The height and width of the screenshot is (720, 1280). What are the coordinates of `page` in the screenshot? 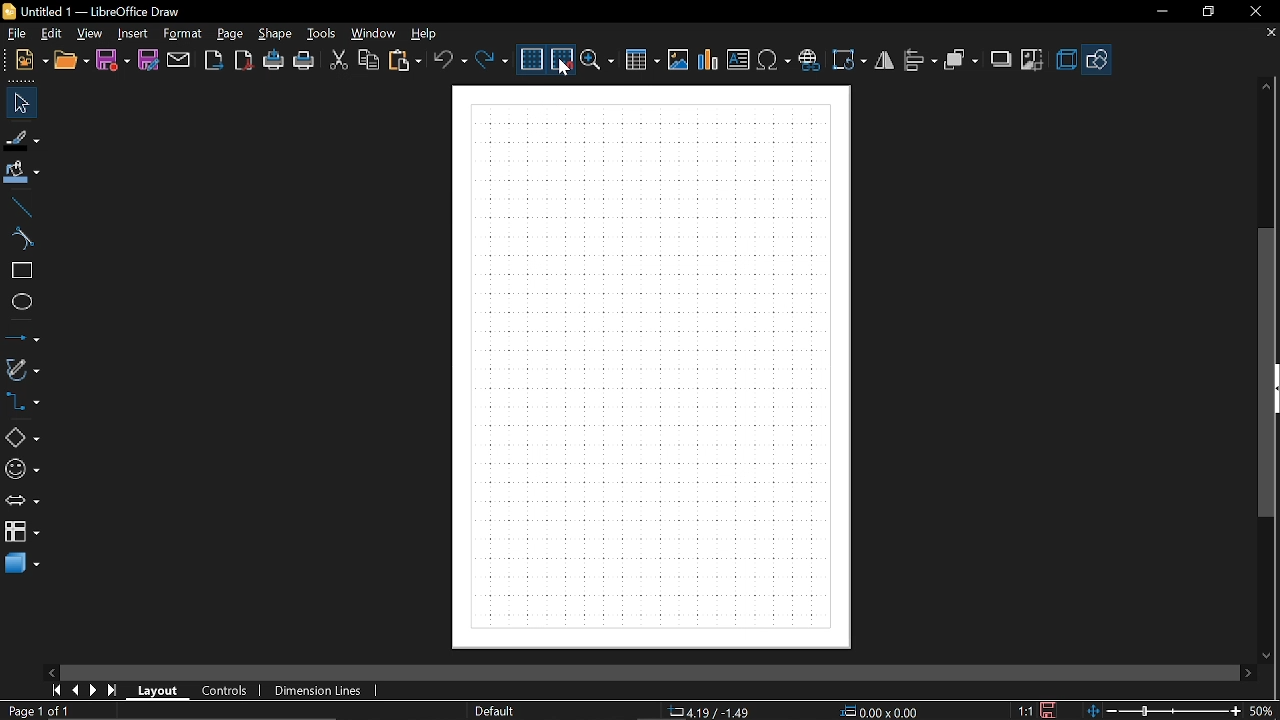 It's located at (227, 35).